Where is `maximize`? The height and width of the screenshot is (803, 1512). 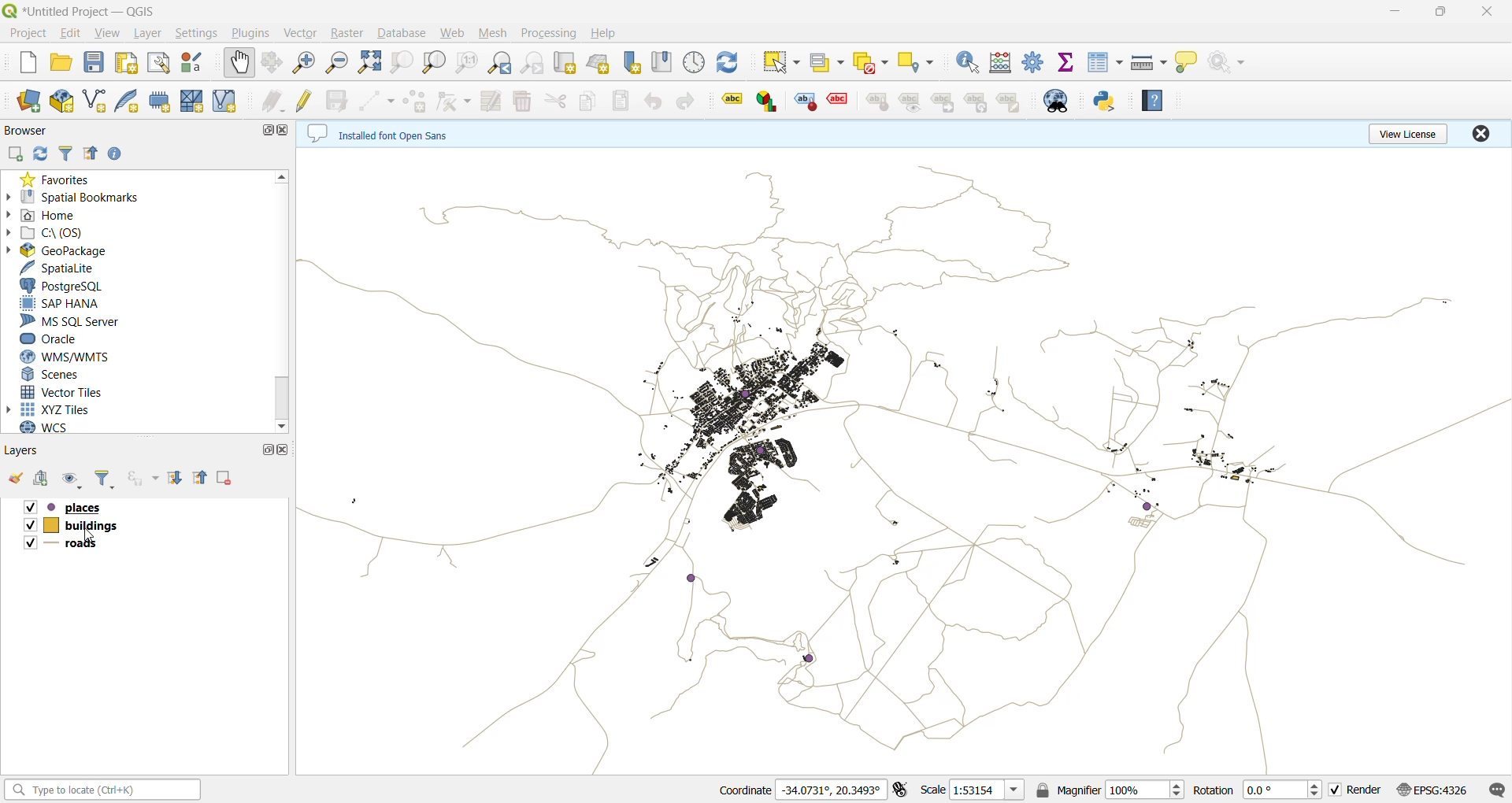
maximize is located at coordinates (265, 450).